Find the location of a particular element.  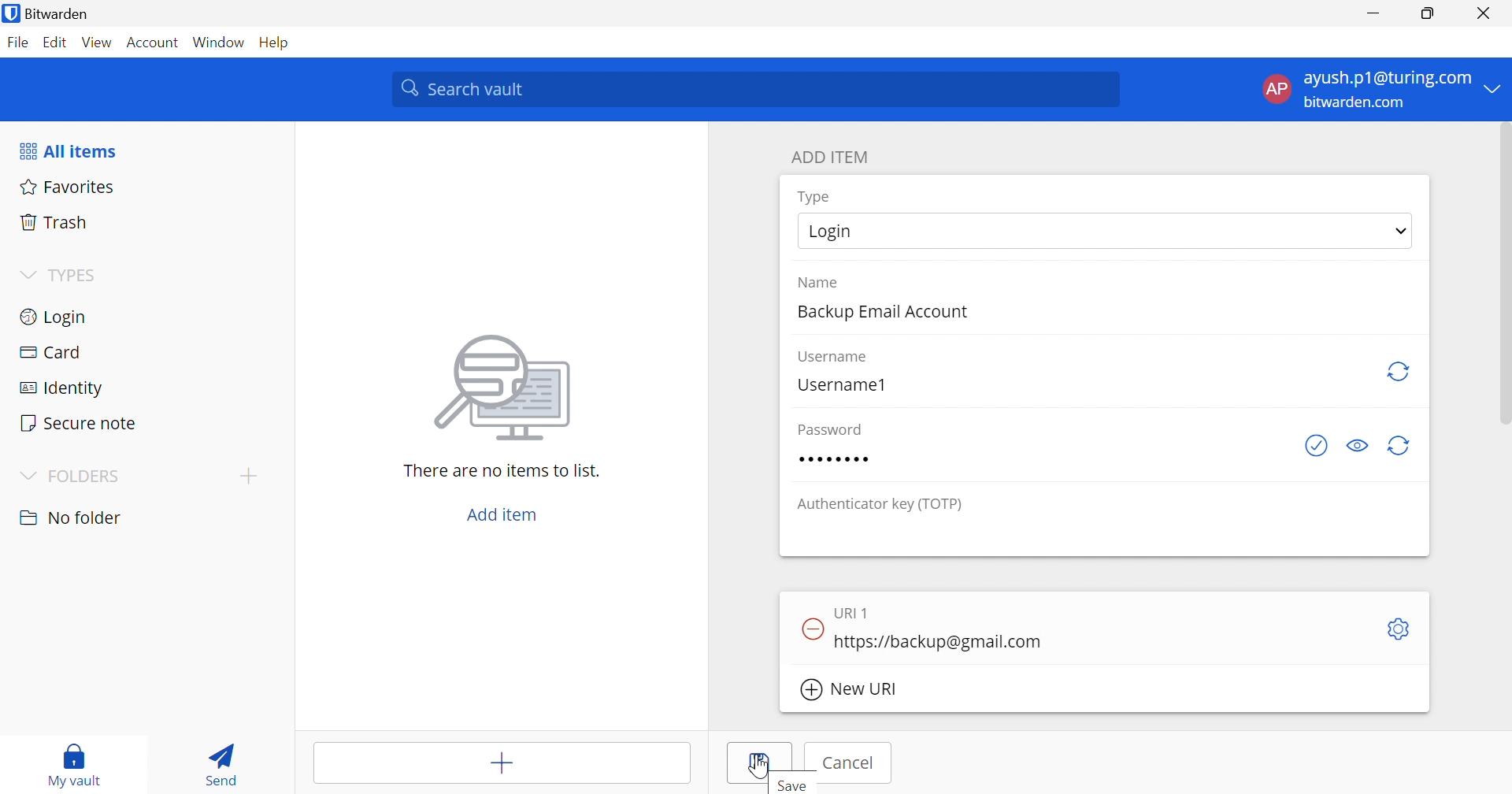

TYPES is located at coordinates (74, 274).